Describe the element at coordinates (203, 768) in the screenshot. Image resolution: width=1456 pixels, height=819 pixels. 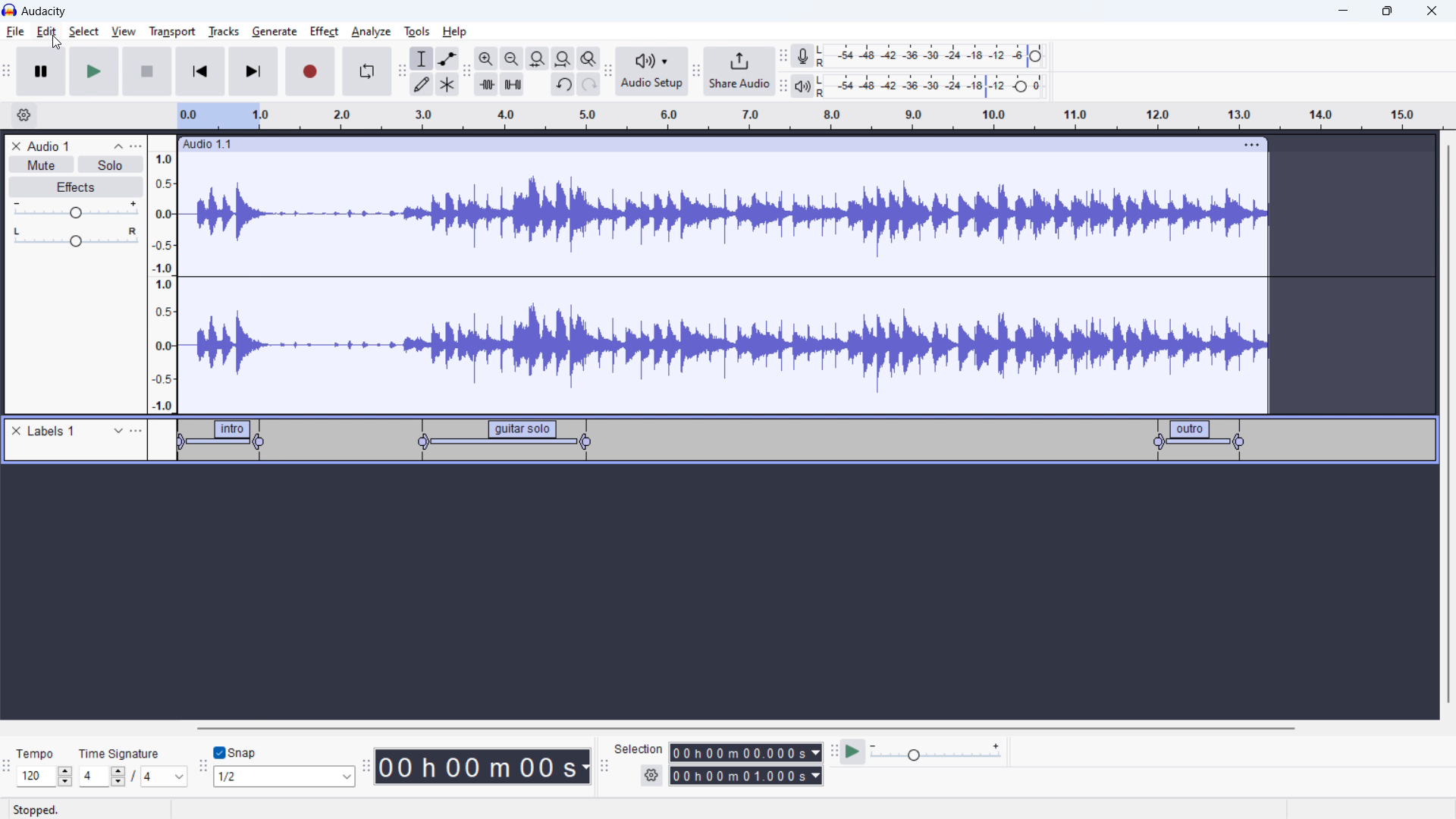
I see `snapping toolbar` at that location.